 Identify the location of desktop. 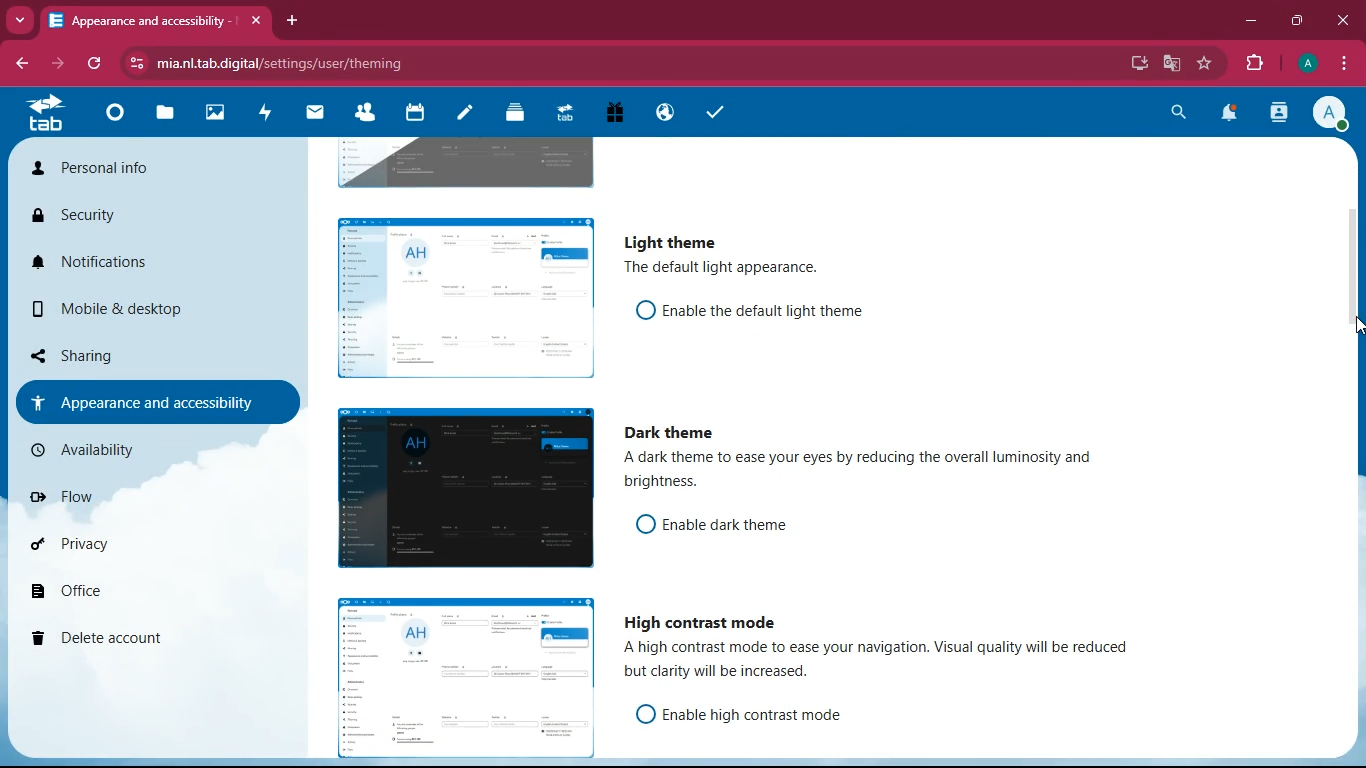
(1140, 62).